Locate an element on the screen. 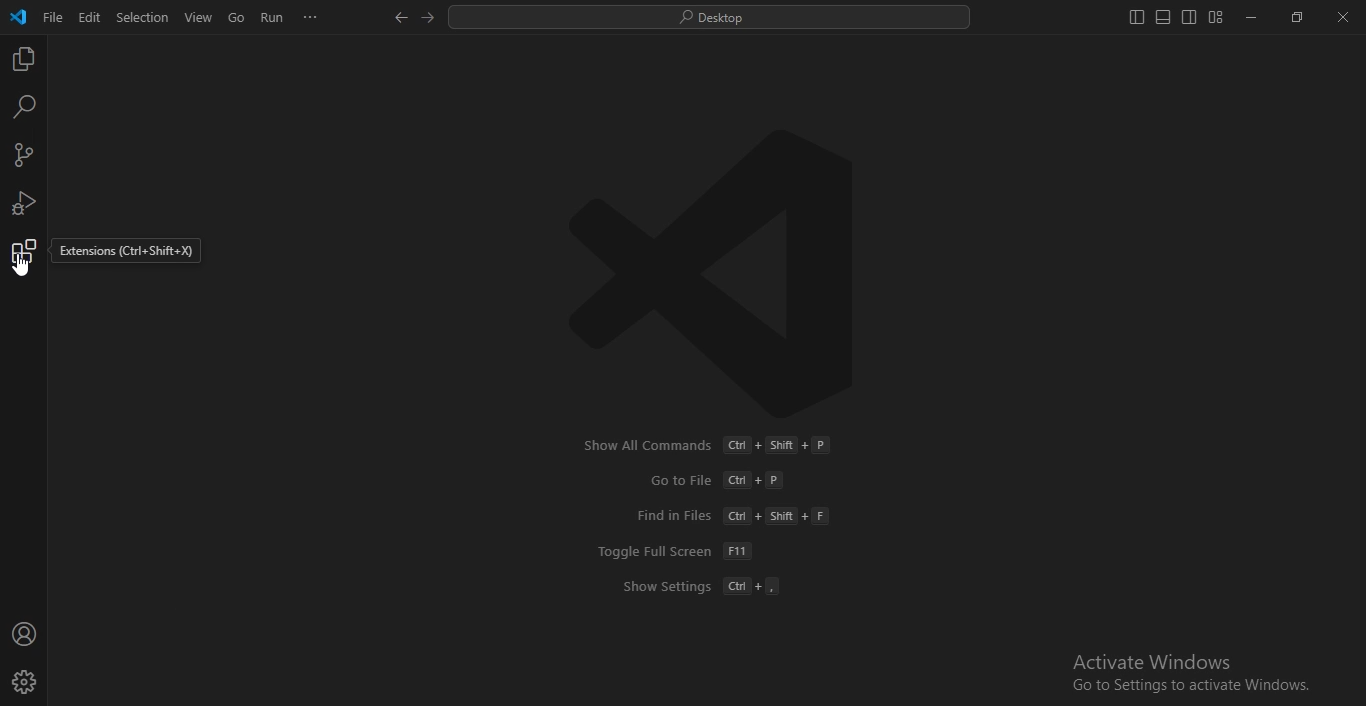 This screenshot has width=1366, height=706. go forward is located at coordinates (430, 19).